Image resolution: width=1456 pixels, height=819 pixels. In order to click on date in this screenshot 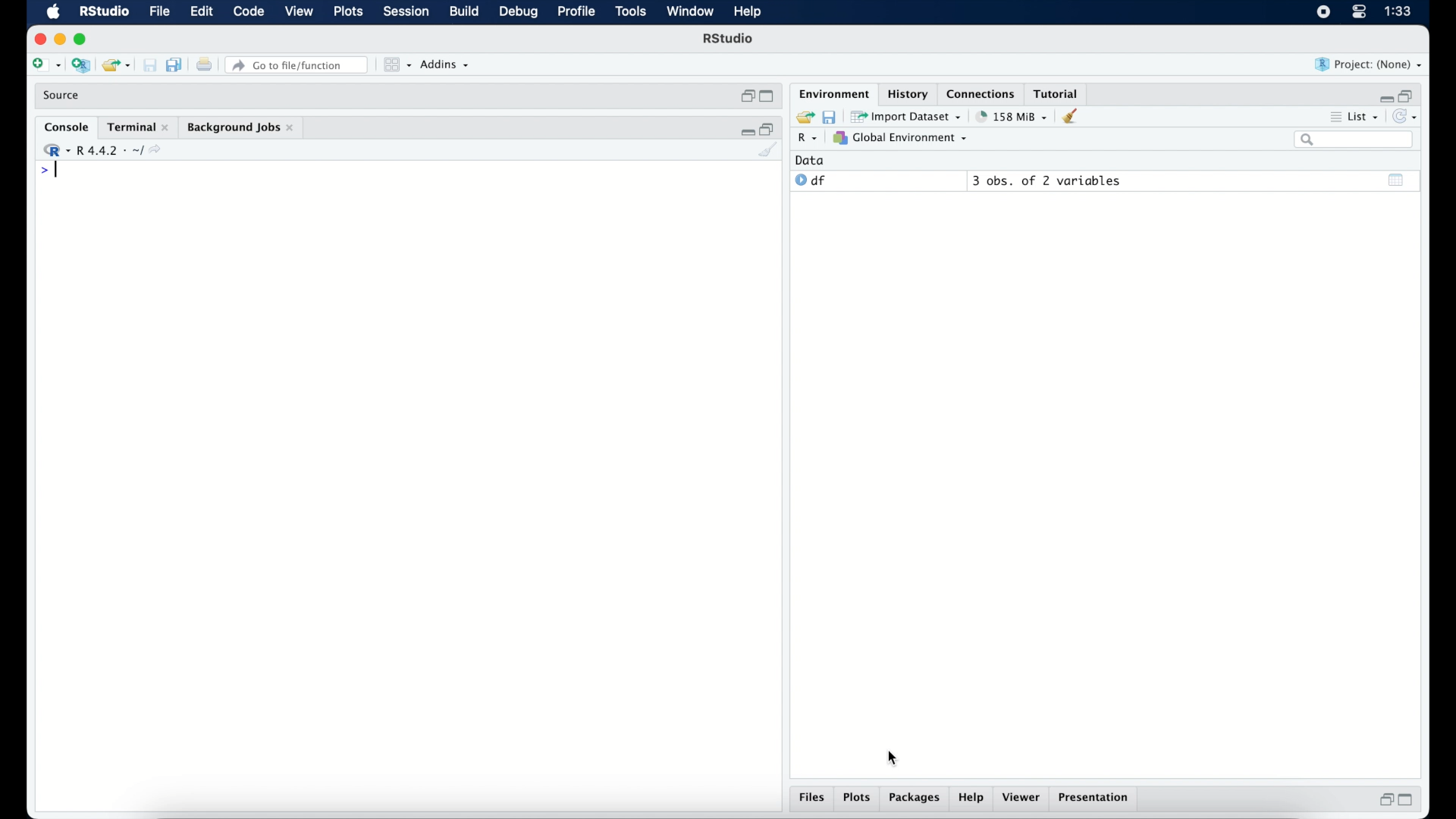, I will do `click(811, 160)`.